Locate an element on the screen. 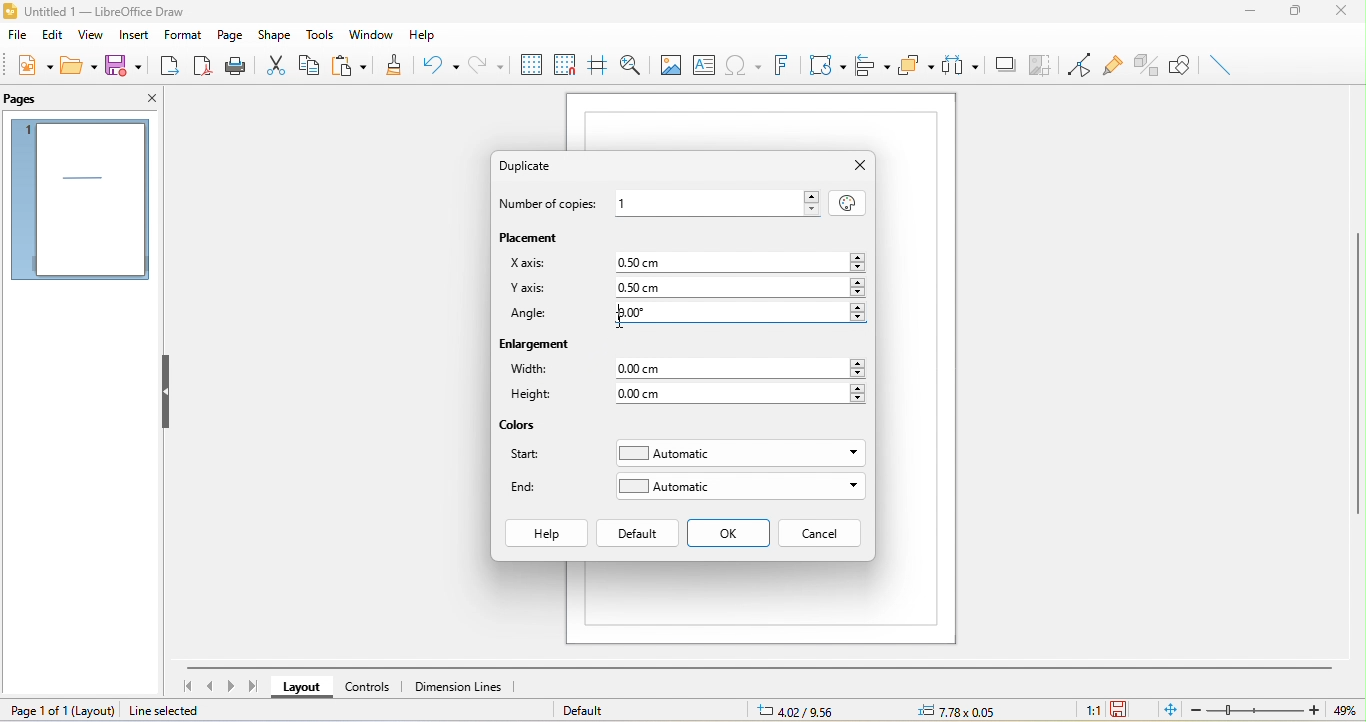 The height and width of the screenshot is (722, 1366). help is located at coordinates (545, 534).